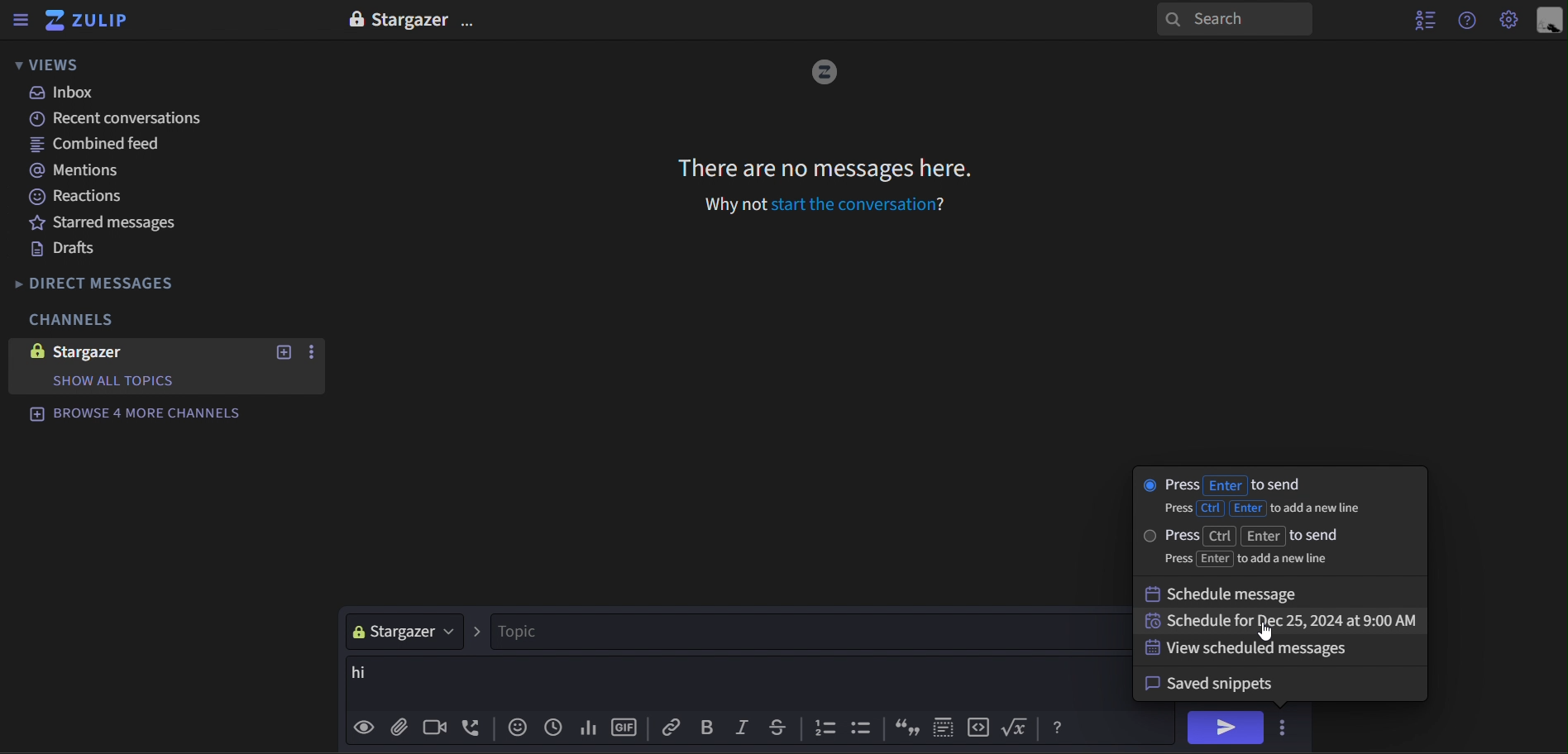 This screenshot has width=1568, height=754. Describe the element at coordinates (117, 172) in the screenshot. I see `mentions` at that location.